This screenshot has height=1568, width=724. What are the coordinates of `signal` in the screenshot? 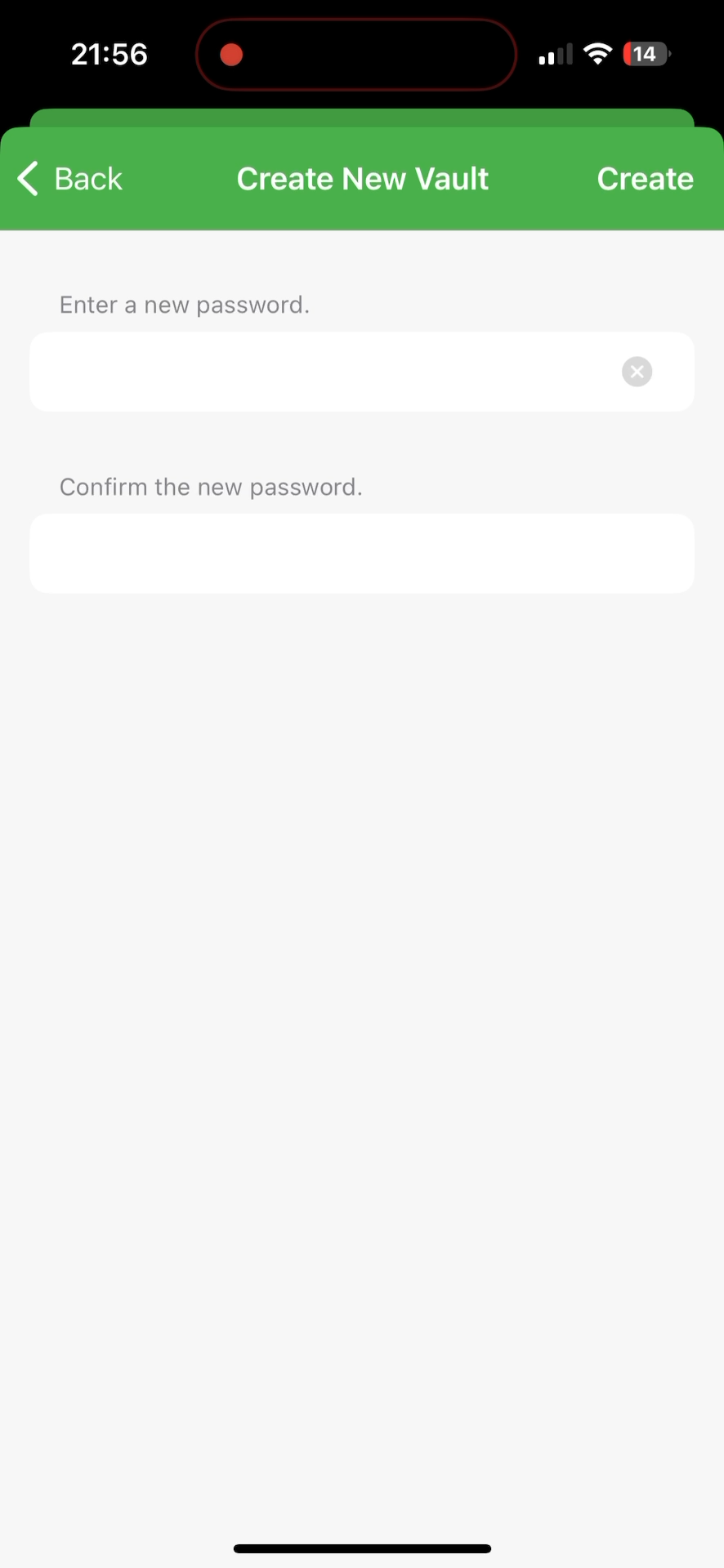 It's located at (553, 55).